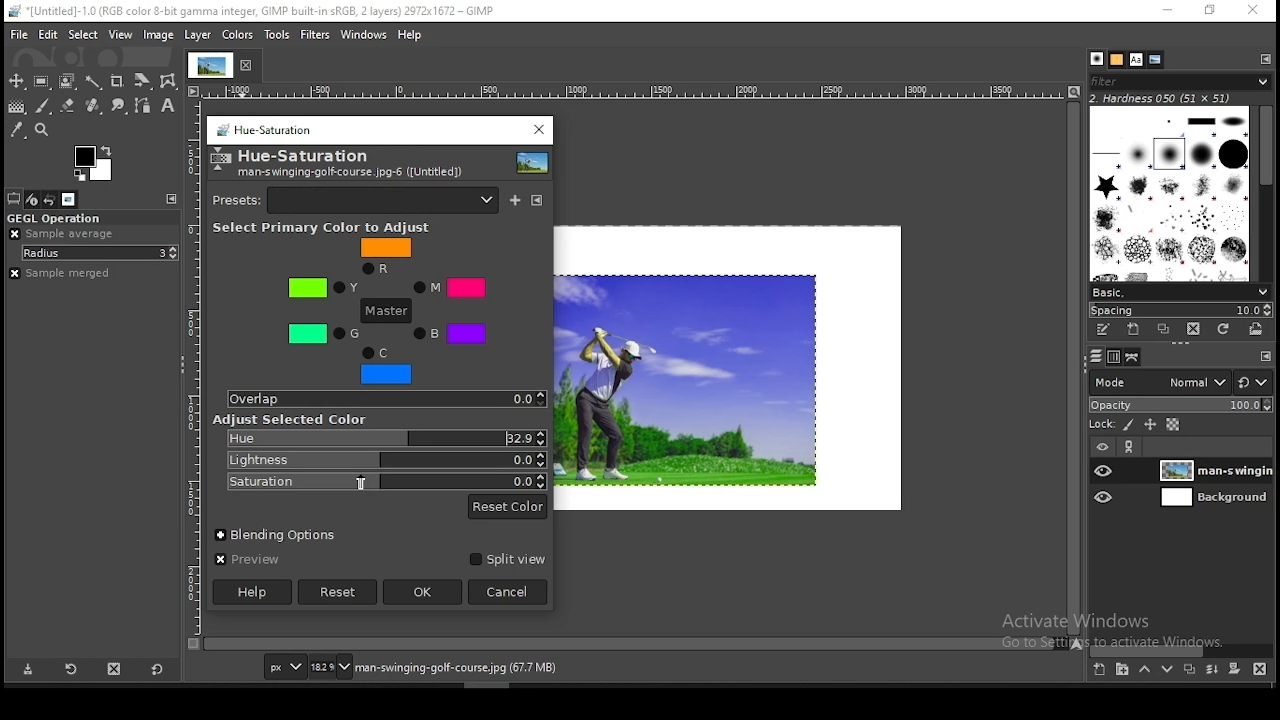 The height and width of the screenshot is (720, 1280). I want to click on layer visibility, so click(1101, 448).